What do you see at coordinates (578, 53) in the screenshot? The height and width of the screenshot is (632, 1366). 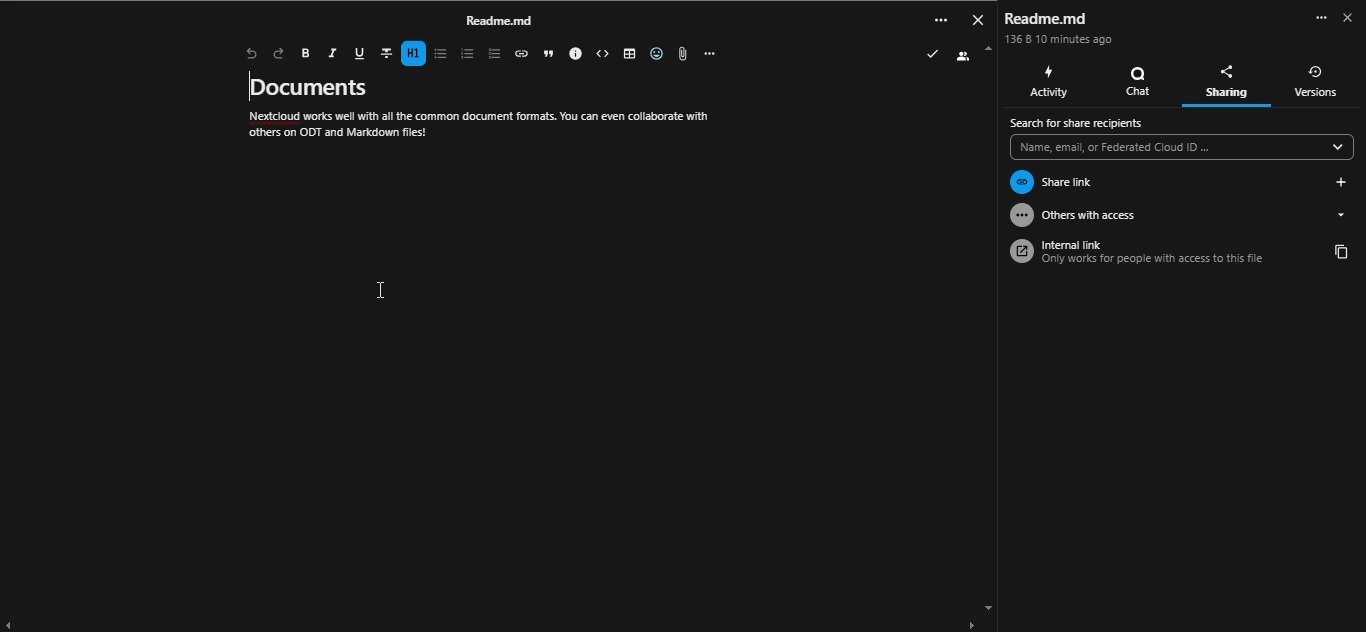 I see `info` at bounding box center [578, 53].